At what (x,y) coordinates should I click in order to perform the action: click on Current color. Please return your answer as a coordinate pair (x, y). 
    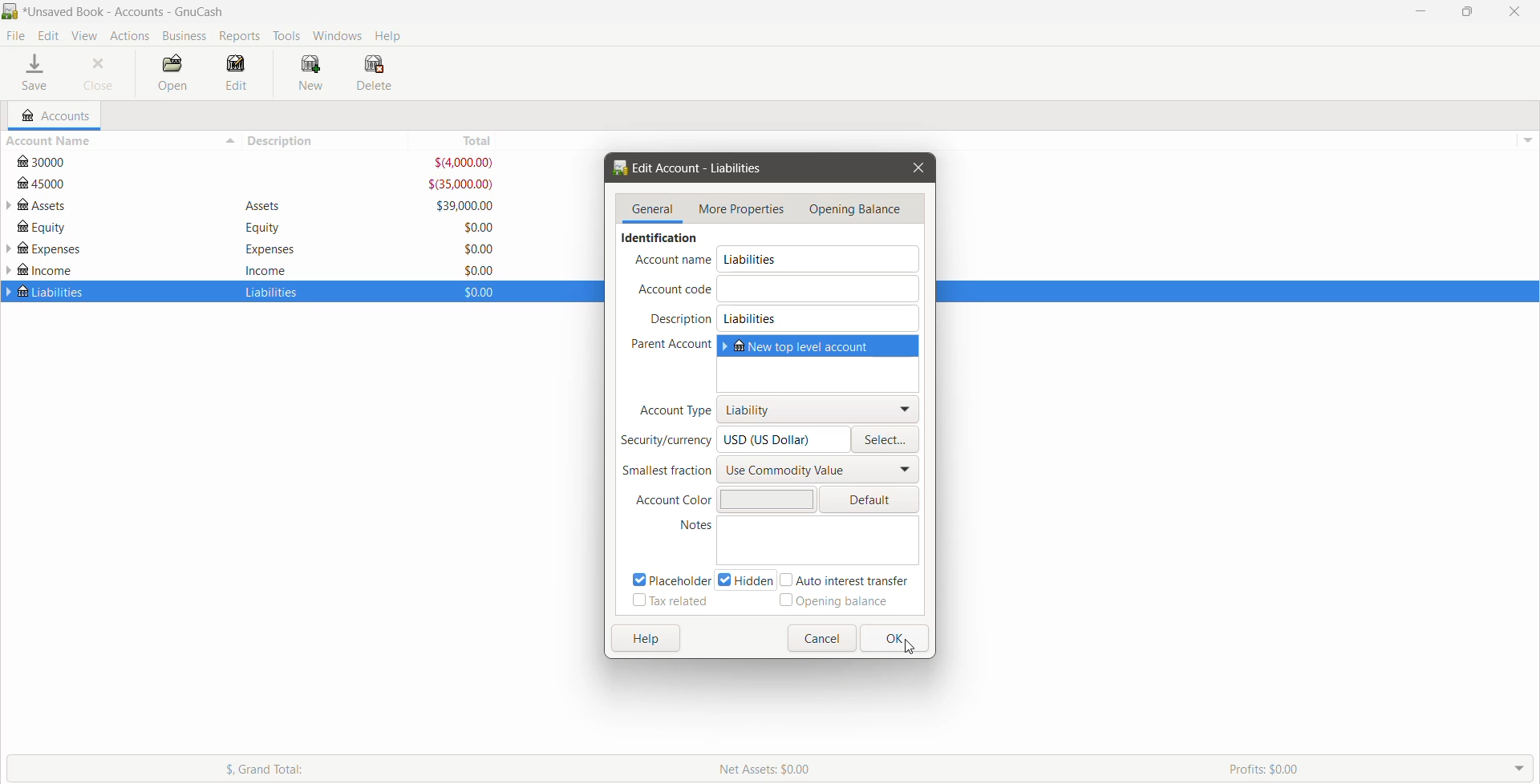
    Looking at the image, I should click on (764, 499).